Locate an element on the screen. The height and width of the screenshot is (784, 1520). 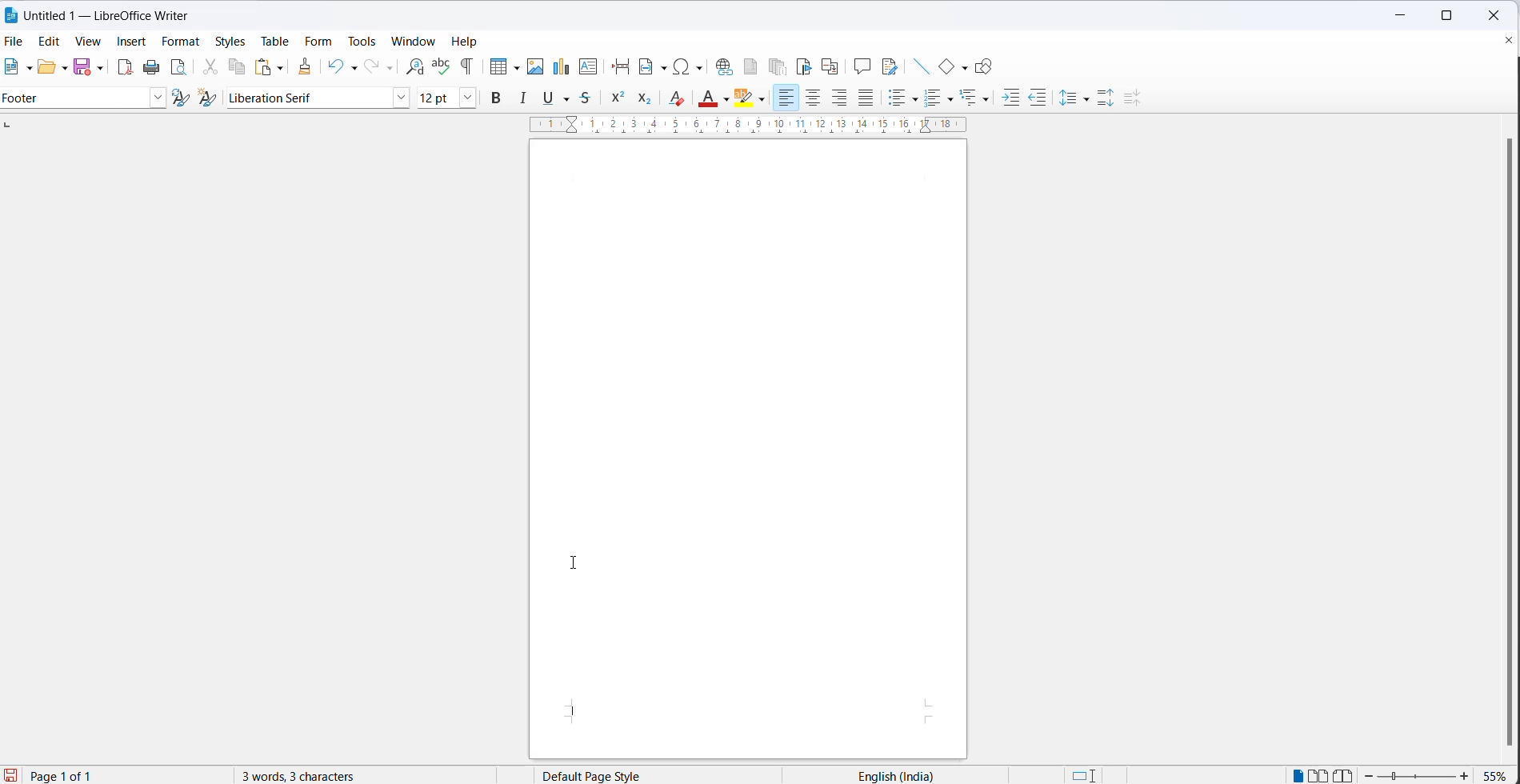
create new style from selection is located at coordinates (208, 96).